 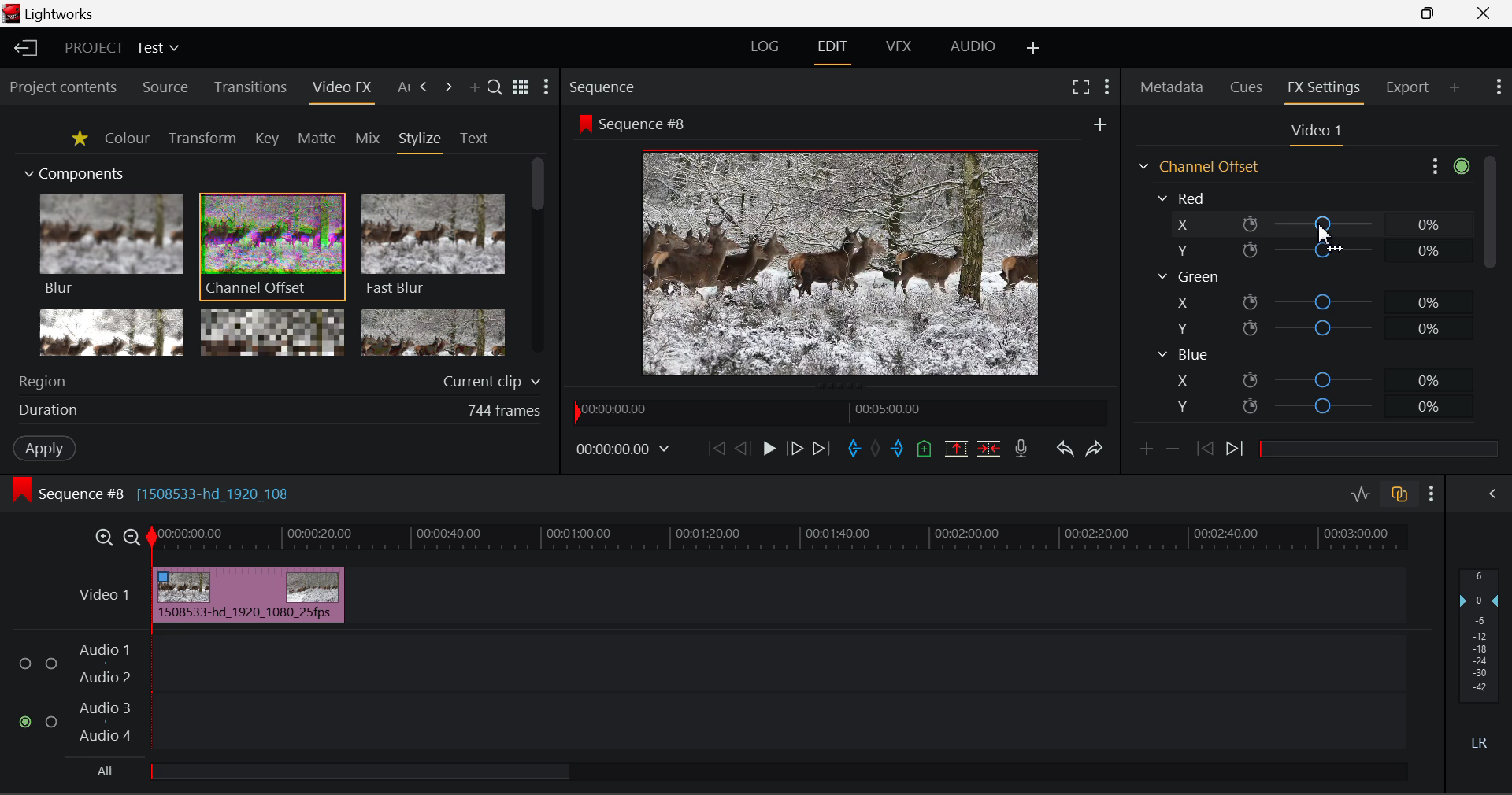 What do you see at coordinates (959, 449) in the screenshot?
I see `Remove marked Section` at bounding box center [959, 449].